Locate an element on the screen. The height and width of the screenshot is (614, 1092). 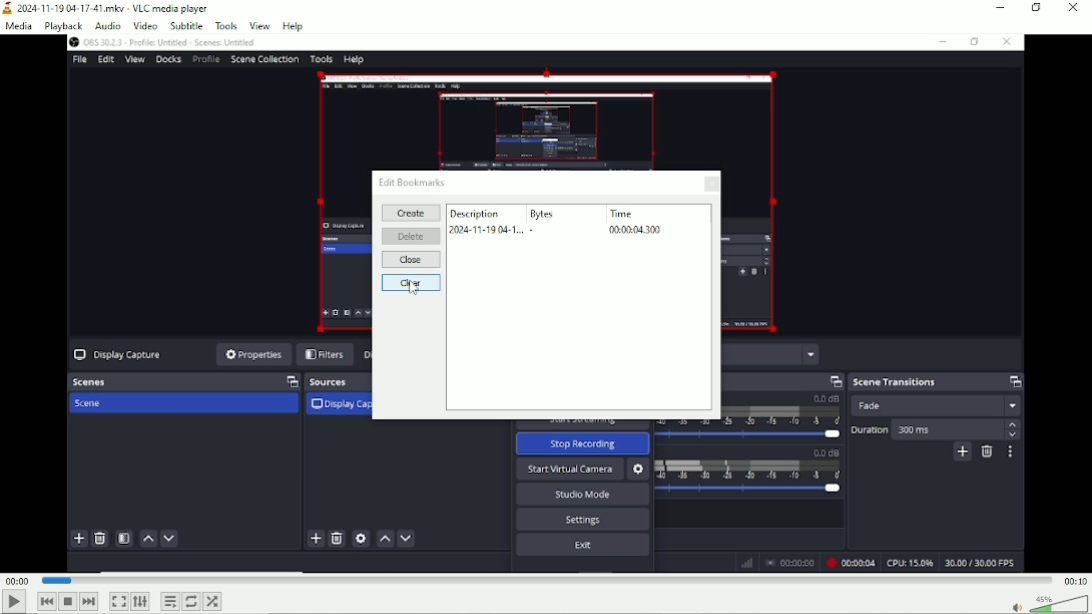
Minimize is located at coordinates (998, 7).